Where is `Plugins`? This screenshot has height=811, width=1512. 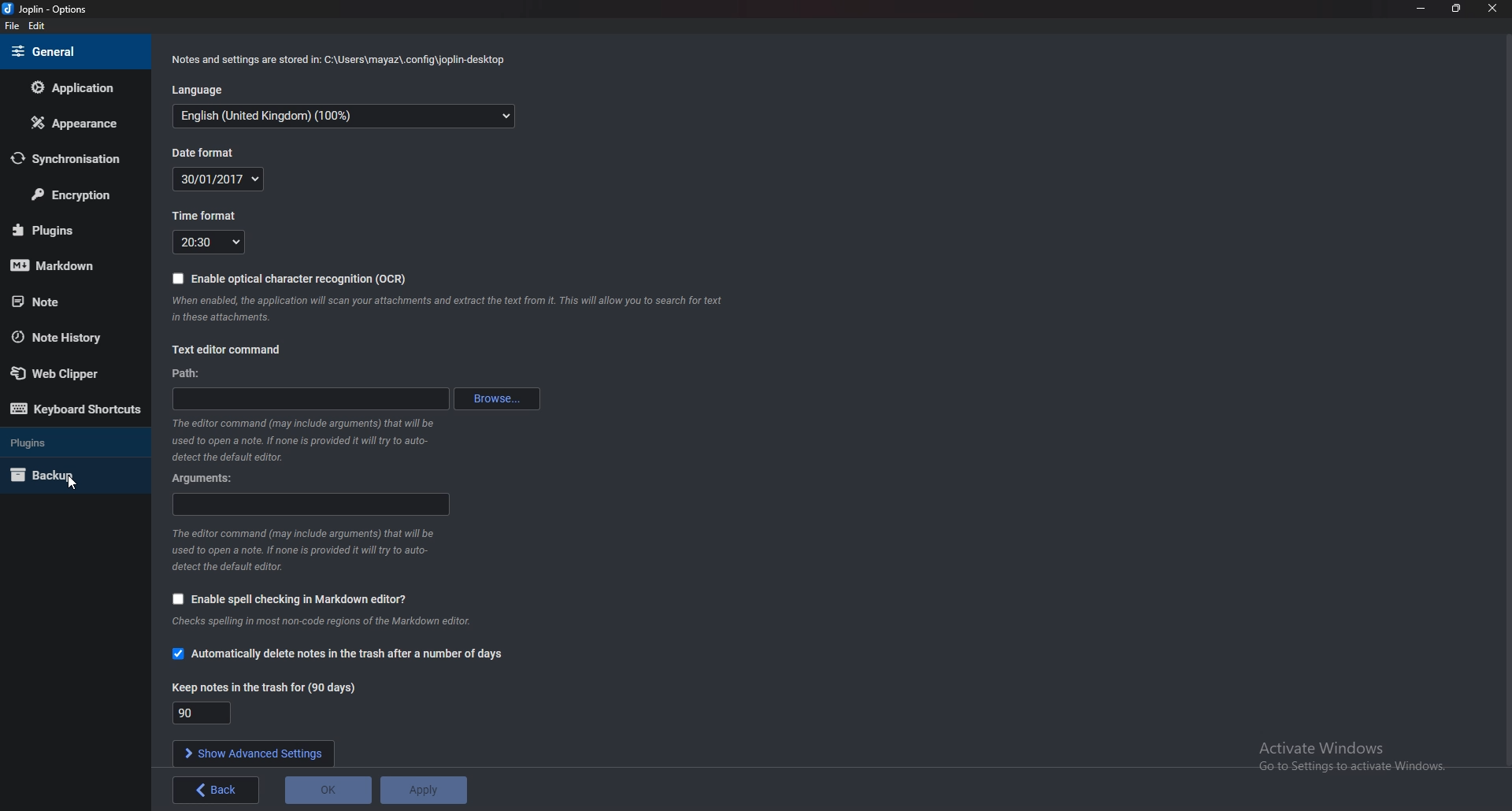 Plugins is located at coordinates (61, 442).